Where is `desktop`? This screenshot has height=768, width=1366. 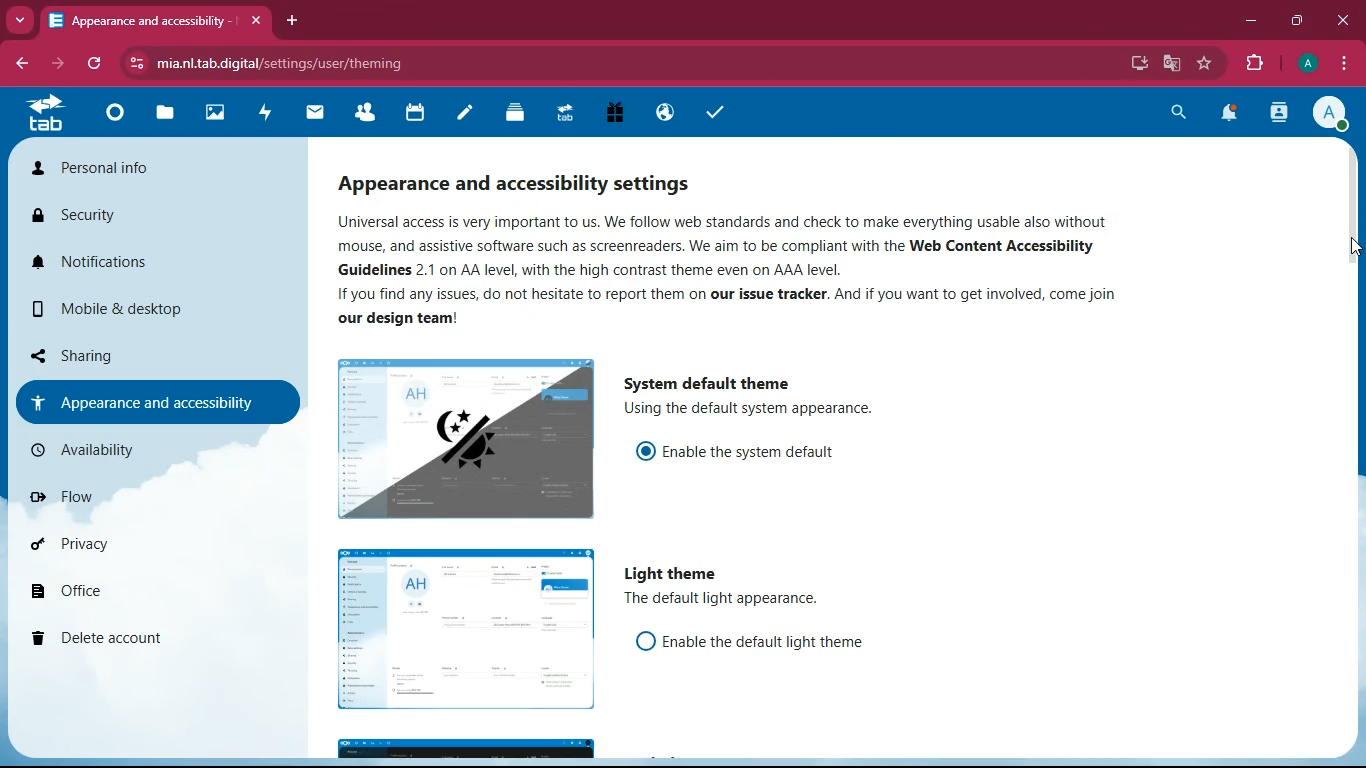 desktop is located at coordinates (1131, 63).